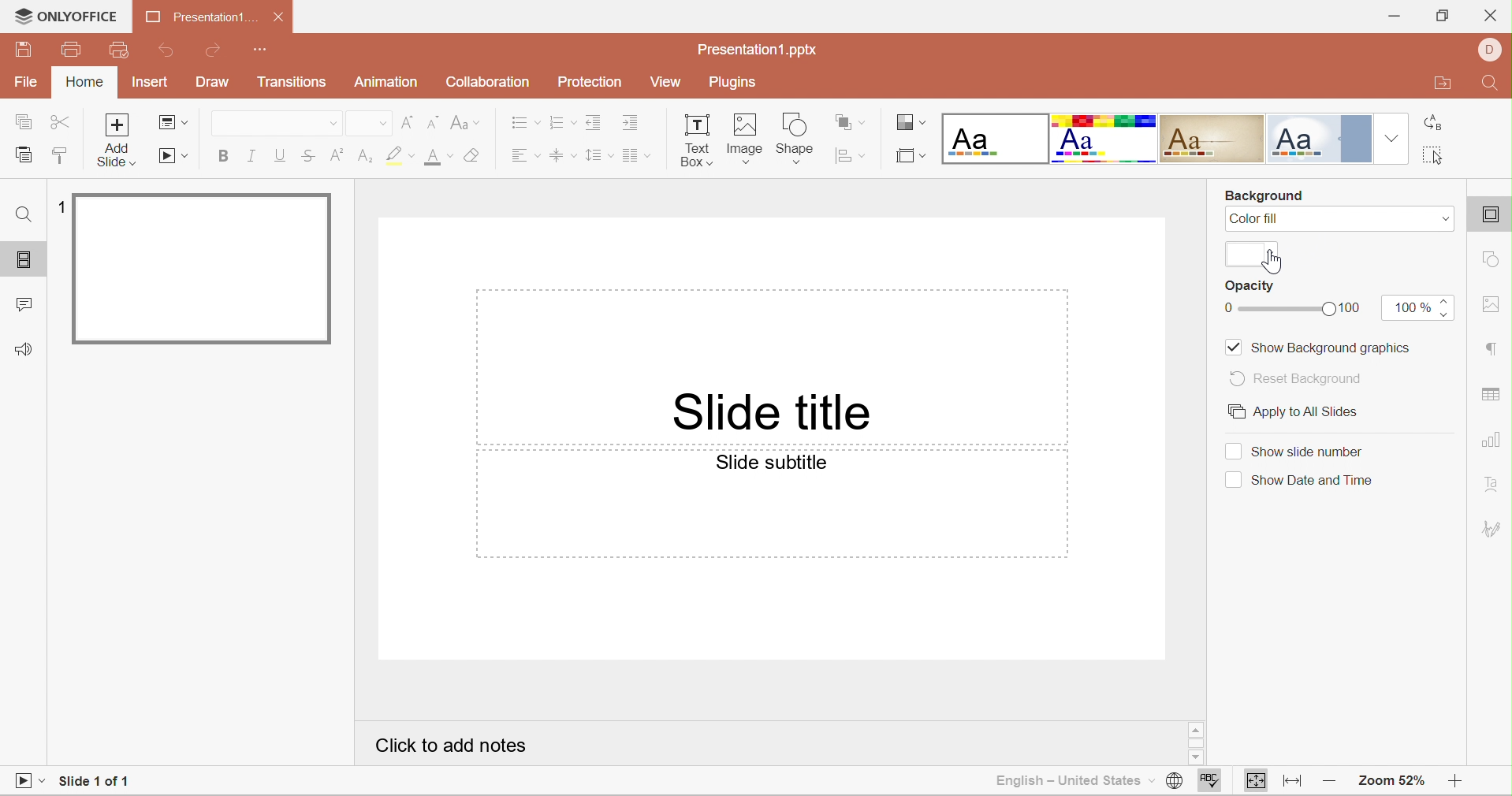  Describe the element at coordinates (445, 744) in the screenshot. I see `Click to add notes` at that location.